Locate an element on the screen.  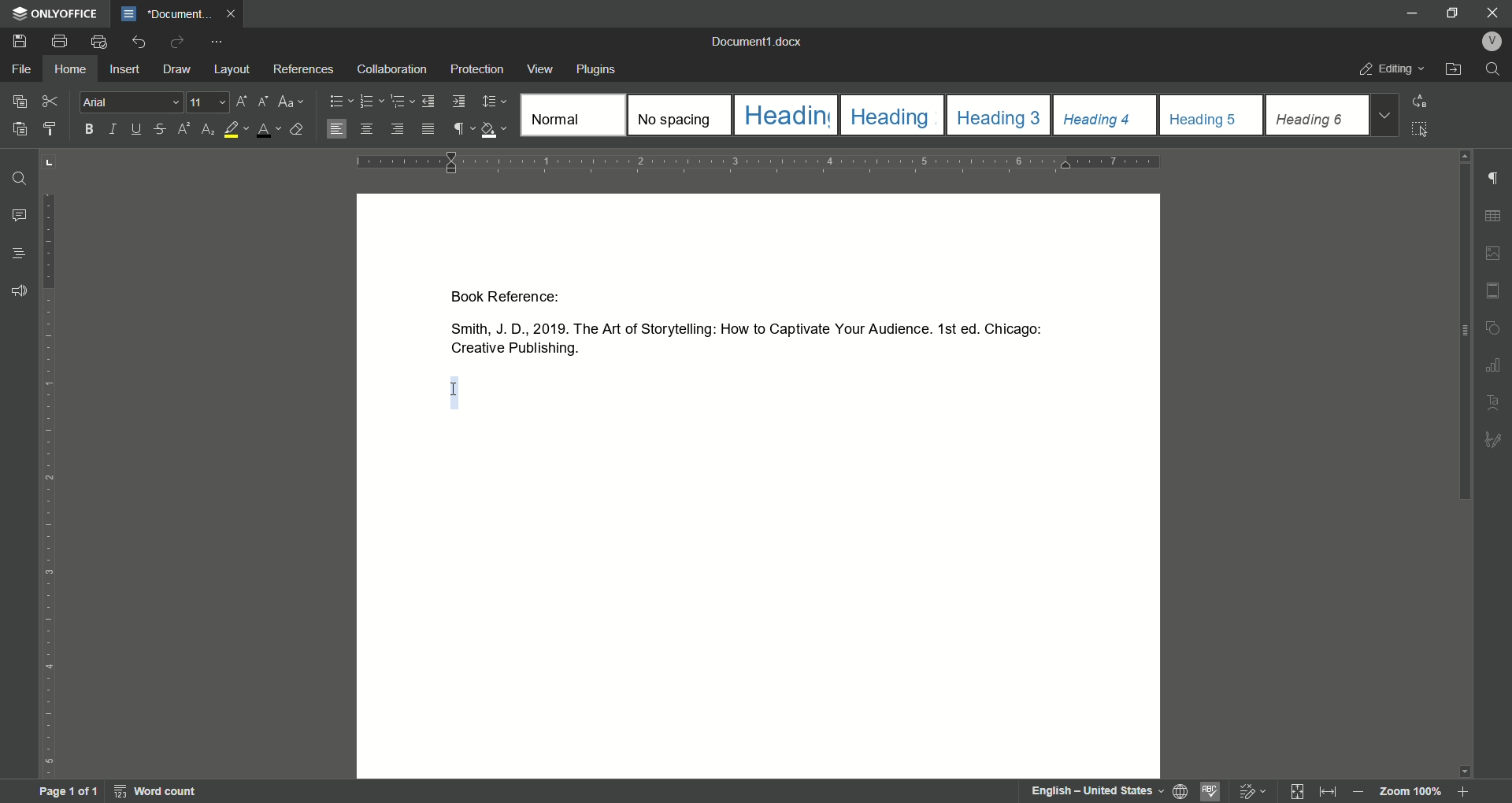
font name is located at coordinates (133, 102).